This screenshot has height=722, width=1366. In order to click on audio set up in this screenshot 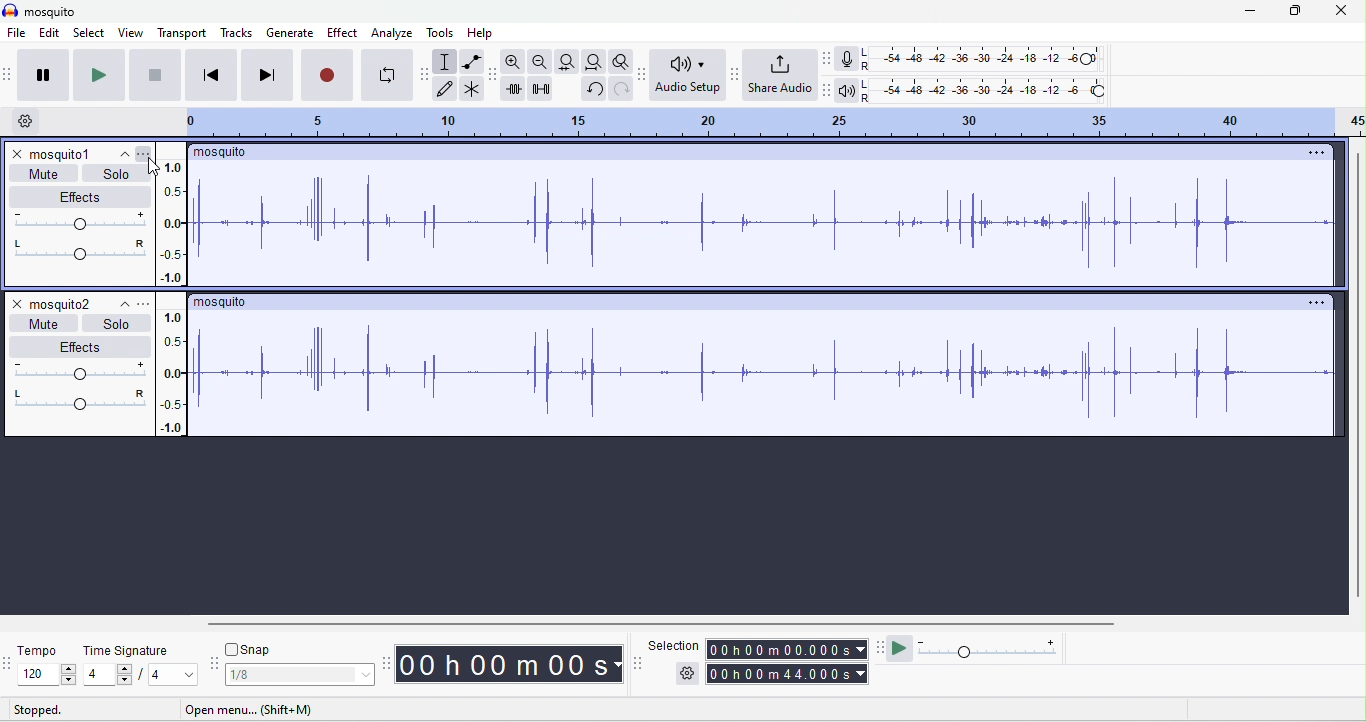, I will do `click(685, 74)`.